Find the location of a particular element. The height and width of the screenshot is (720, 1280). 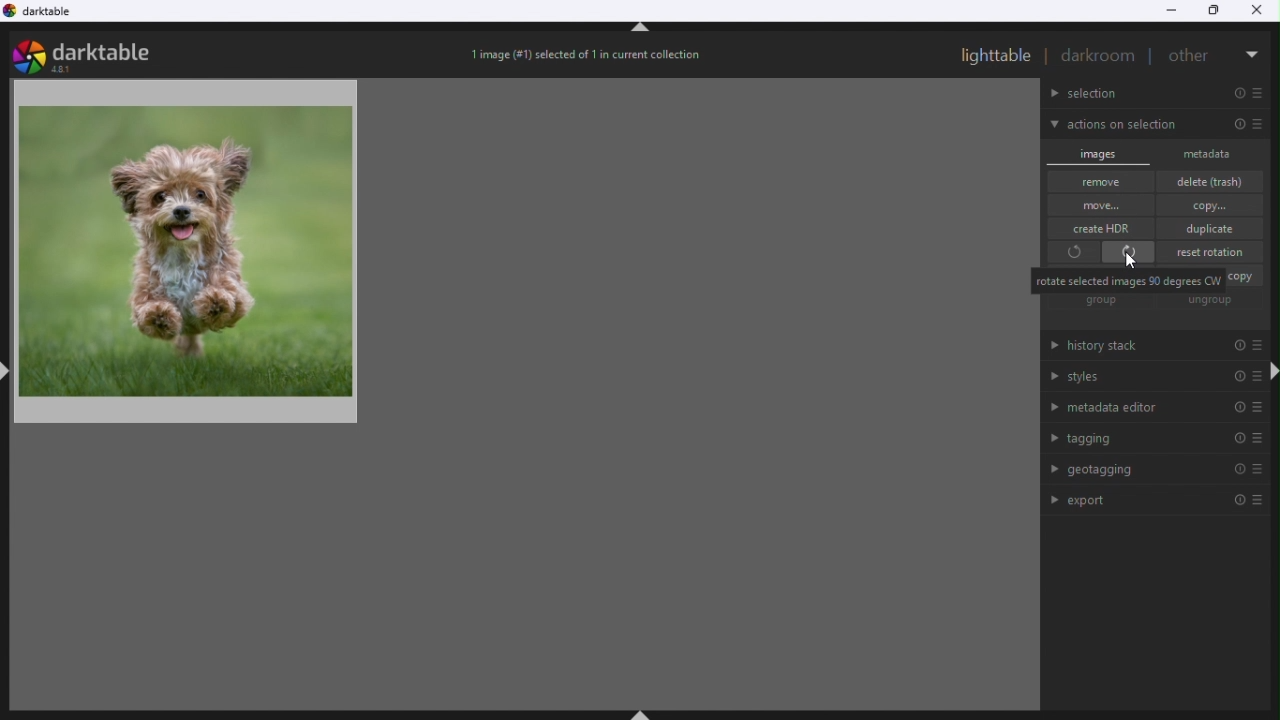

Dark table is located at coordinates (50, 15).